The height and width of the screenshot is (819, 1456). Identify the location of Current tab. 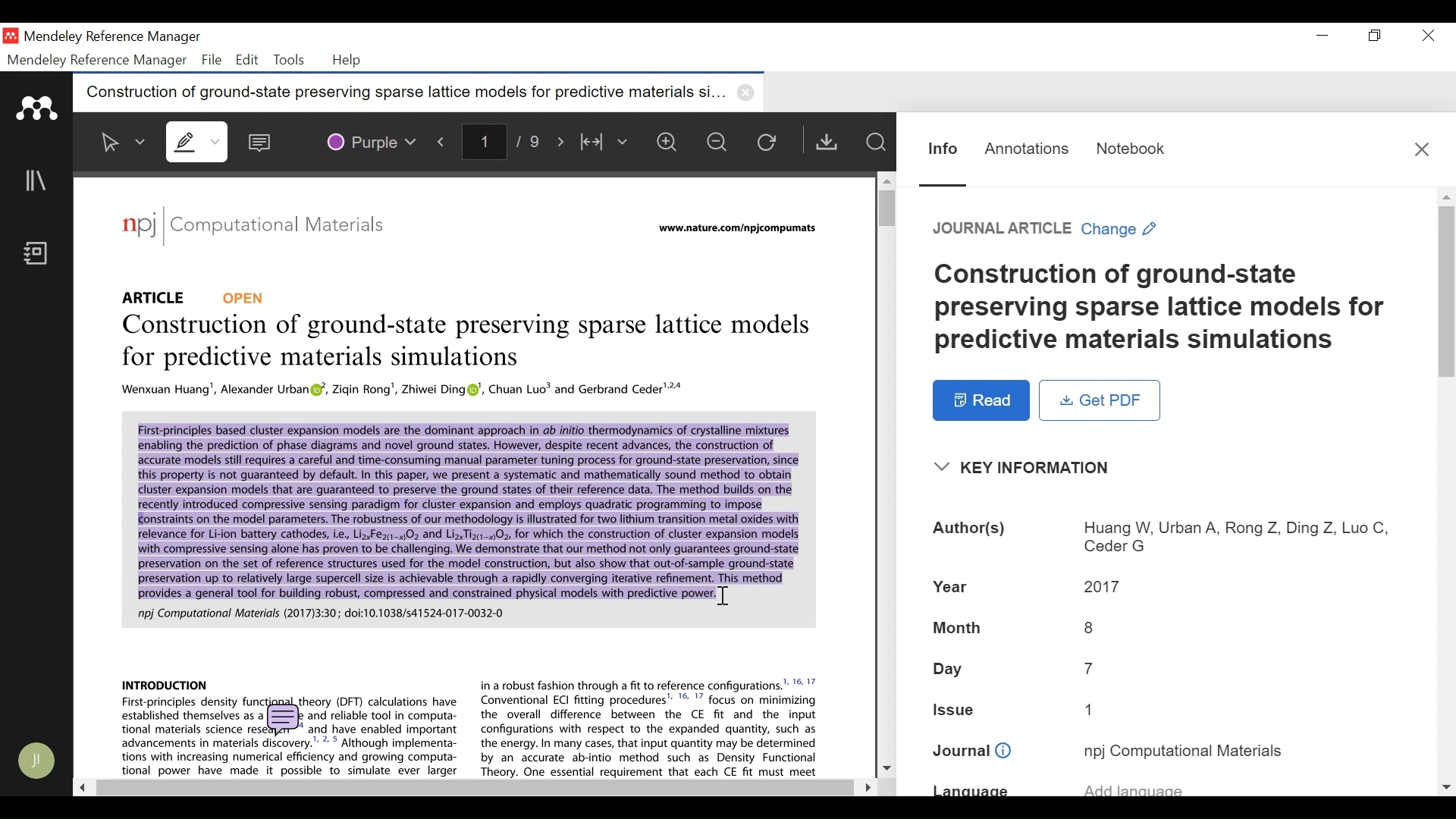
(400, 93).